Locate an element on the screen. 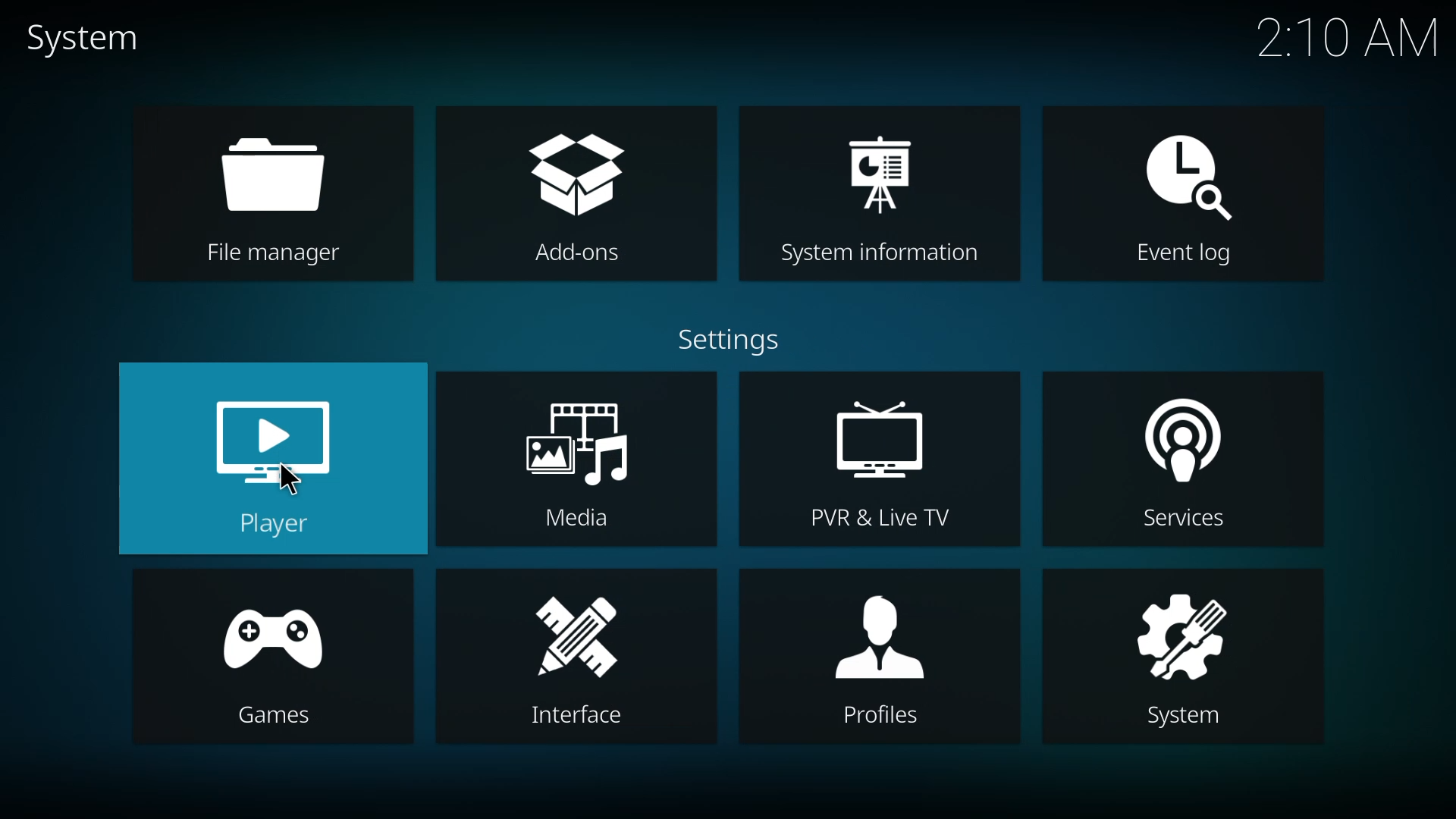 The width and height of the screenshot is (1456, 819). interface is located at coordinates (585, 657).